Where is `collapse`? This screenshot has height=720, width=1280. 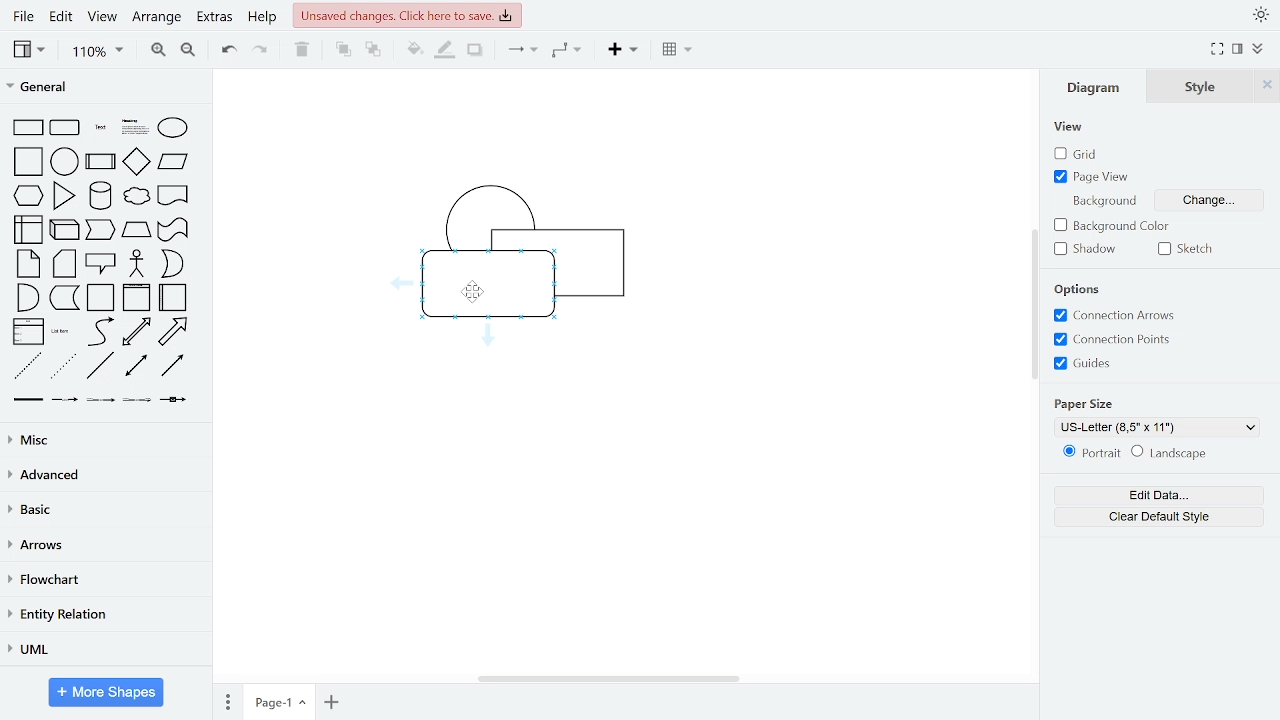
collapse is located at coordinates (1261, 47).